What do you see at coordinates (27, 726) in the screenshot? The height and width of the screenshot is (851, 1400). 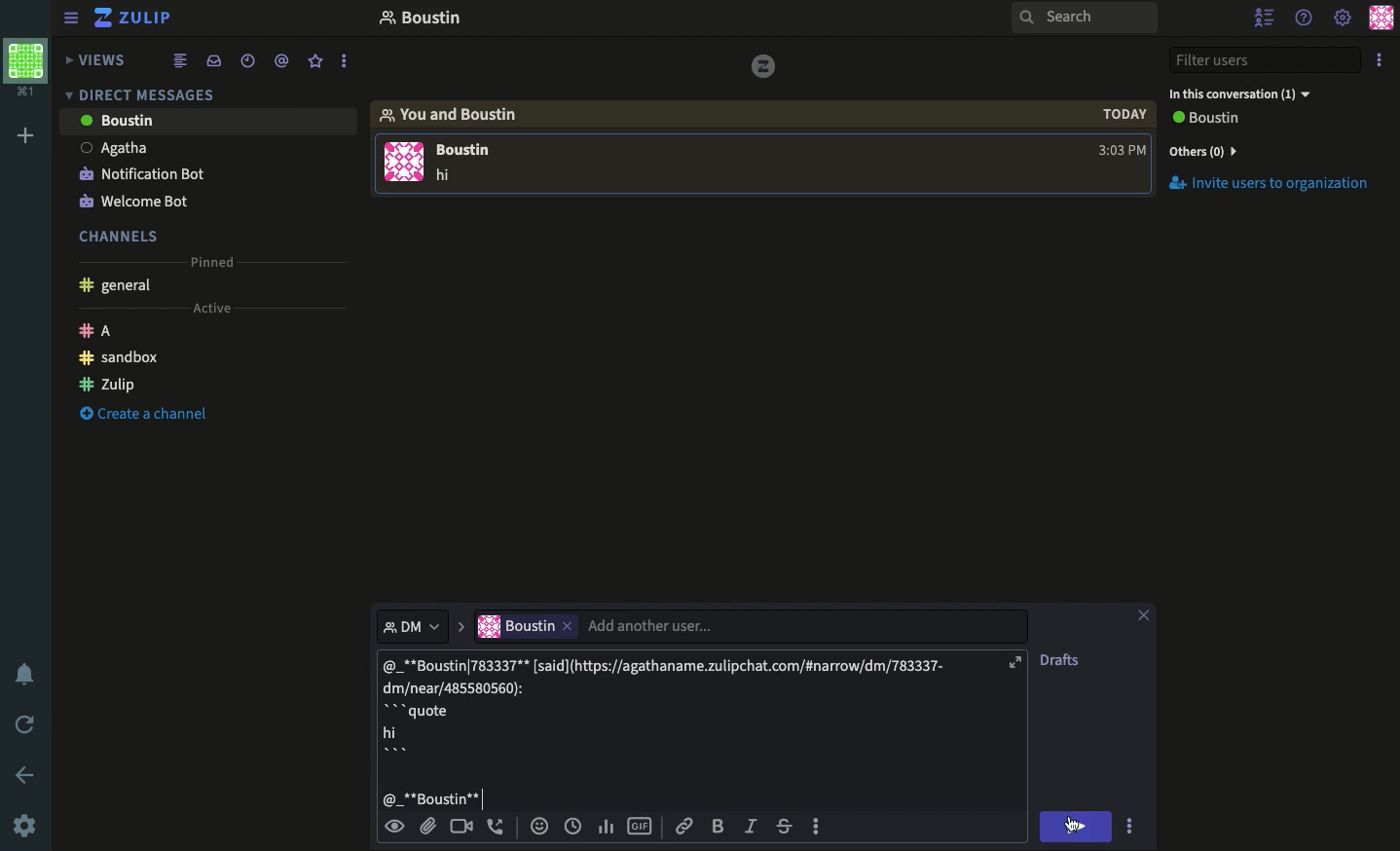 I see `Refresh` at bounding box center [27, 726].